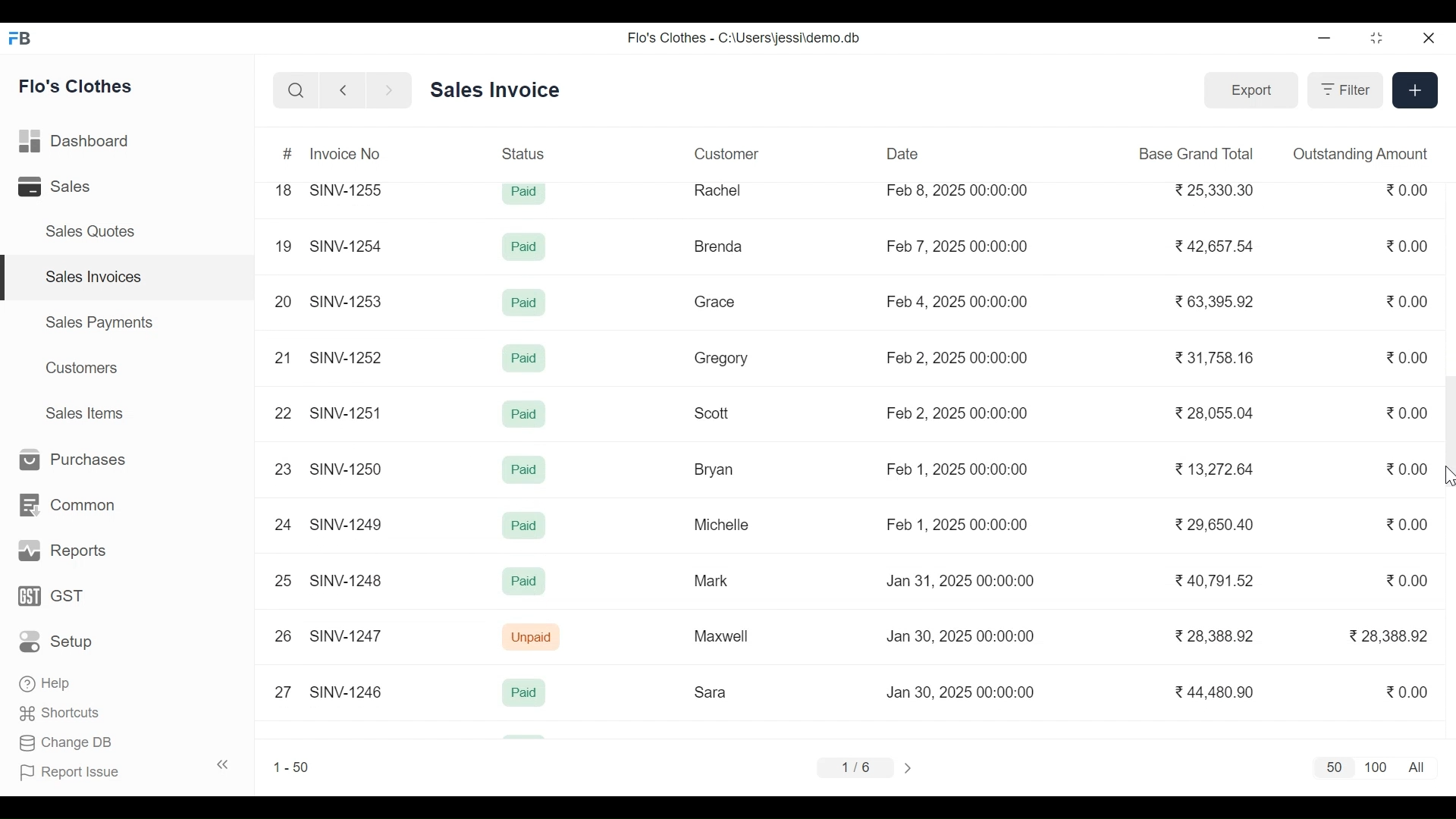  Describe the element at coordinates (719, 190) in the screenshot. I see `Rachel` at that location.